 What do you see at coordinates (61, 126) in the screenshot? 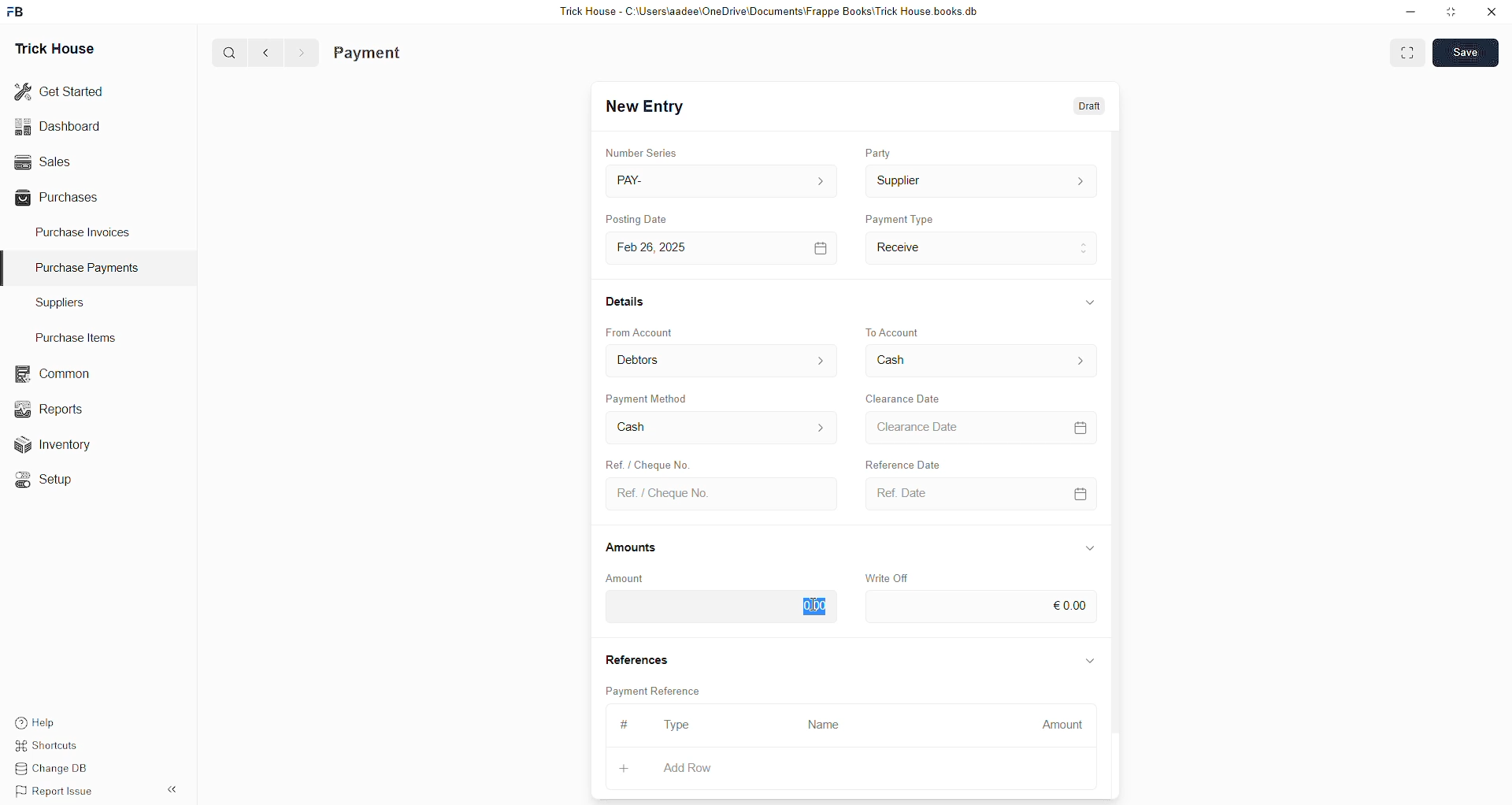
I see `Dashboard` at bounding box center [61, 126].